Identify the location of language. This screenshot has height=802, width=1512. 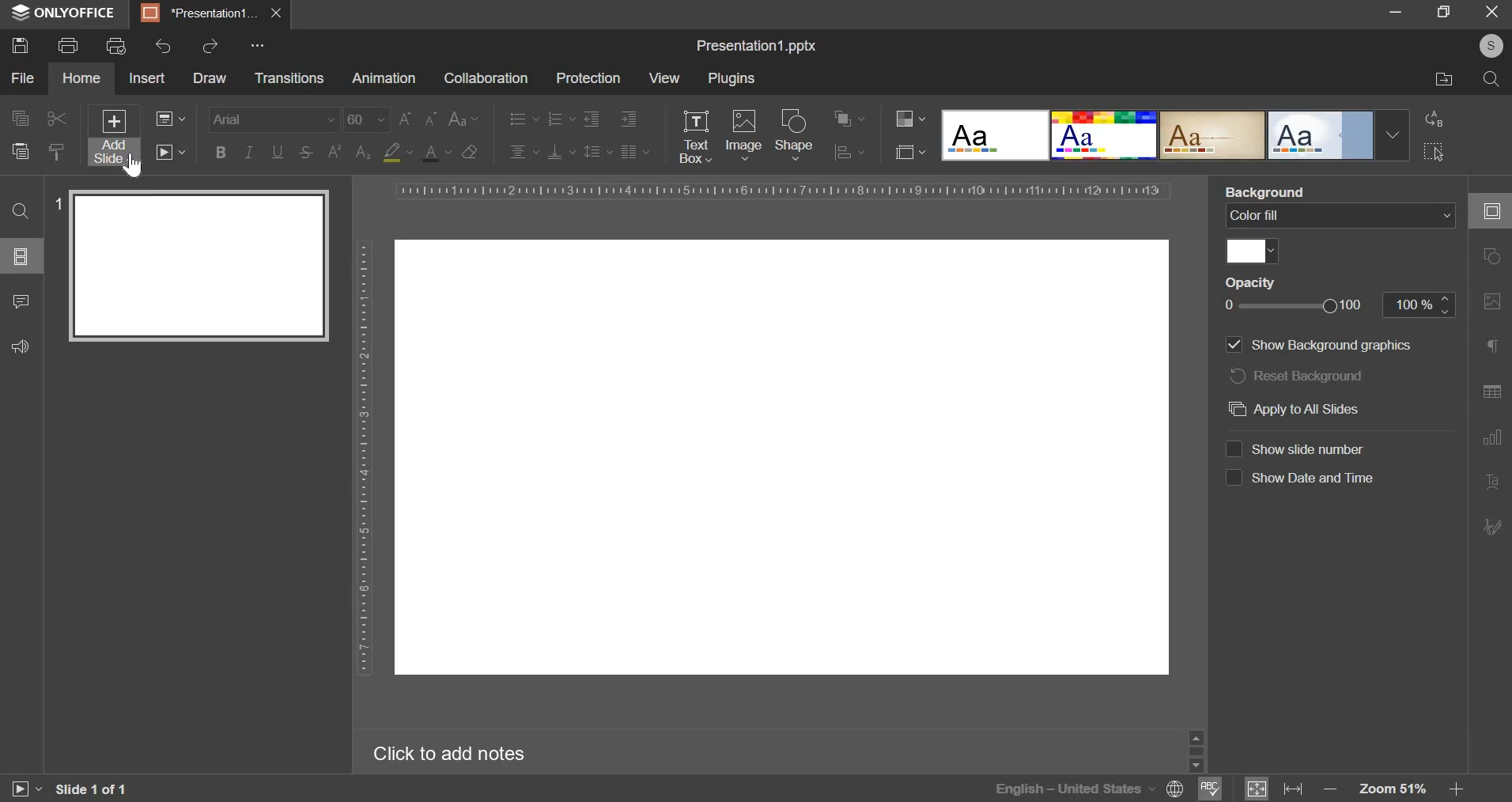
(1074, 789).